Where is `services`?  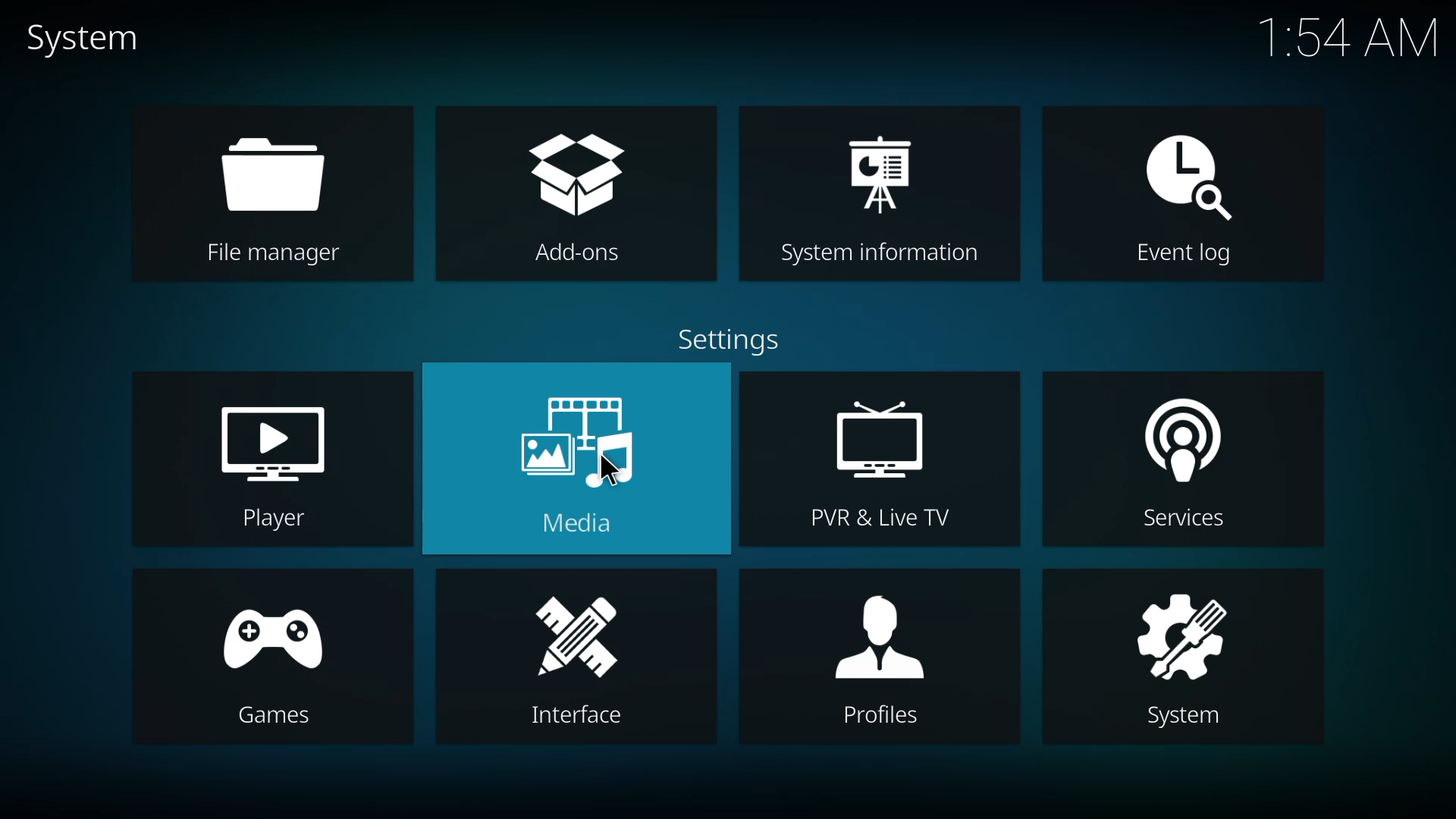
services is located at coordinates (1181, 462).